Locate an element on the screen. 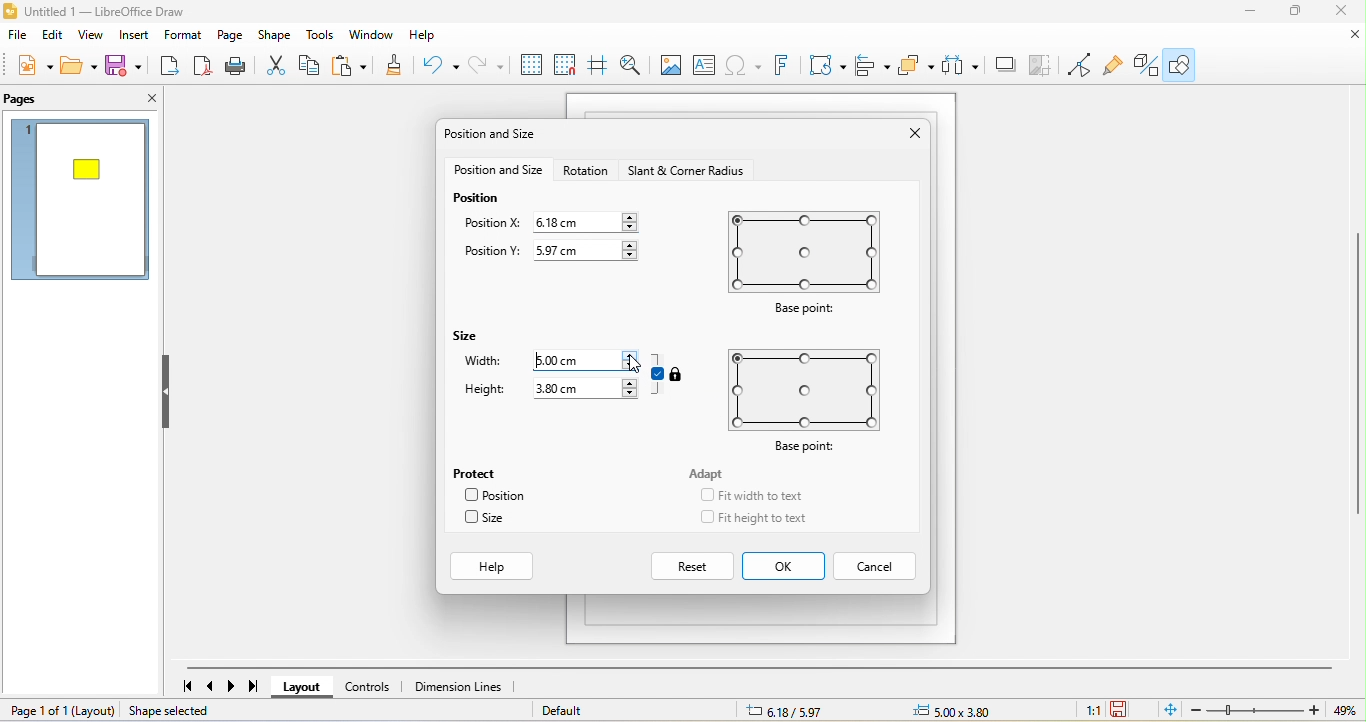 Image resolution: width=1366 pixels, height=722 pixels. adapt is located at coordinates (705, 476).